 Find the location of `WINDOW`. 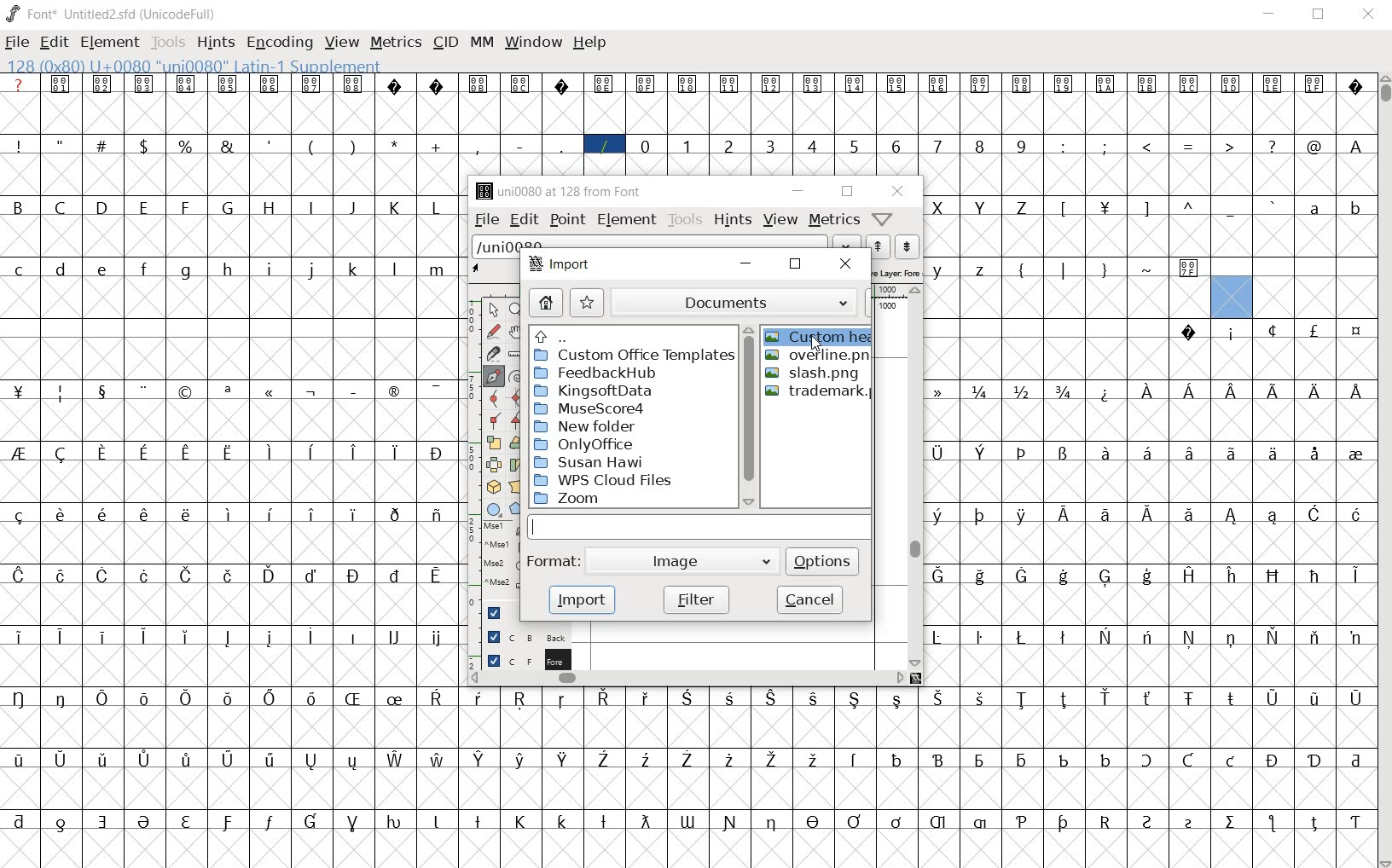

WINDOW is located at coordinates (531, 42).